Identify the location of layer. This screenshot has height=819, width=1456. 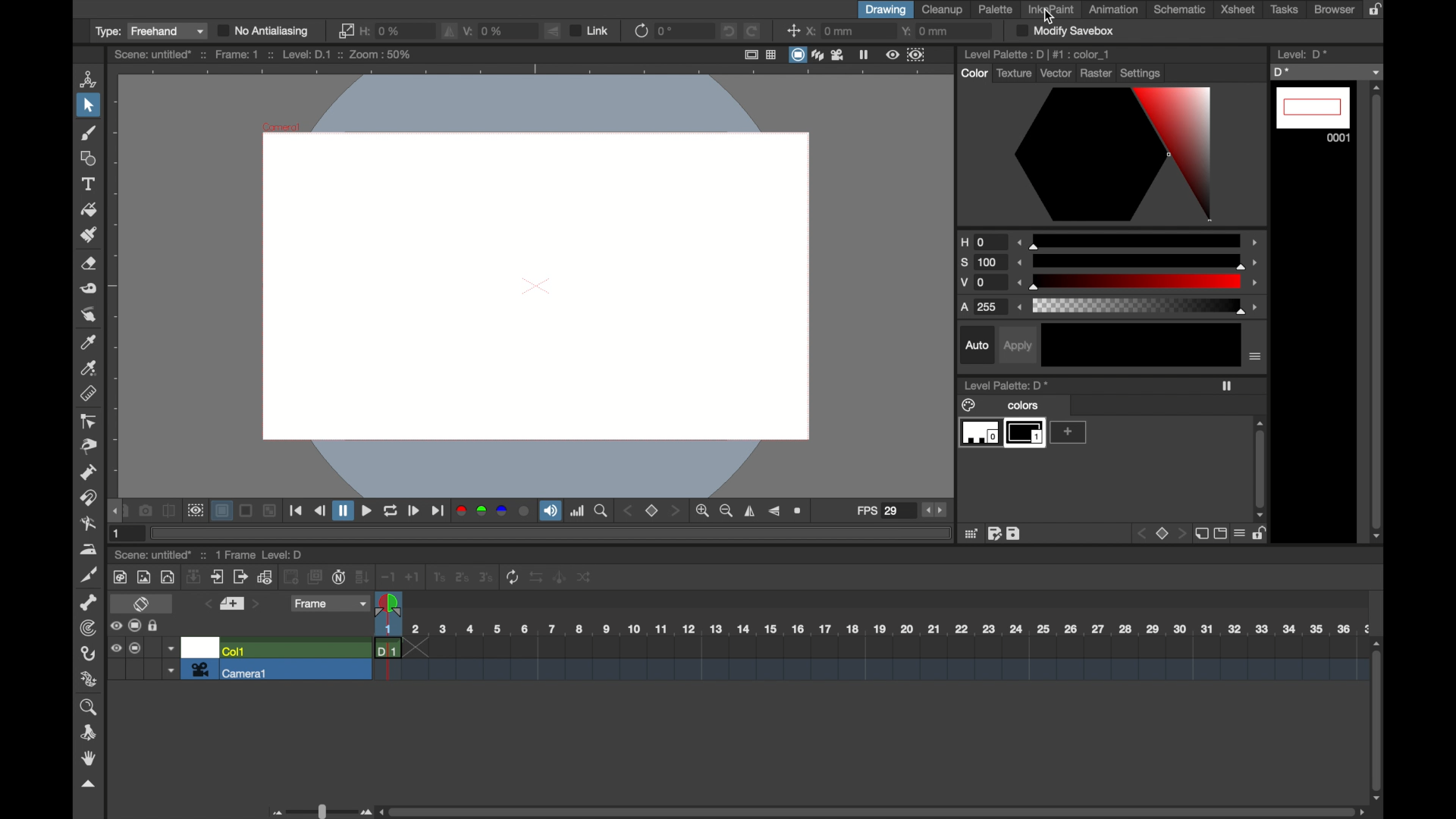
(221, 510).